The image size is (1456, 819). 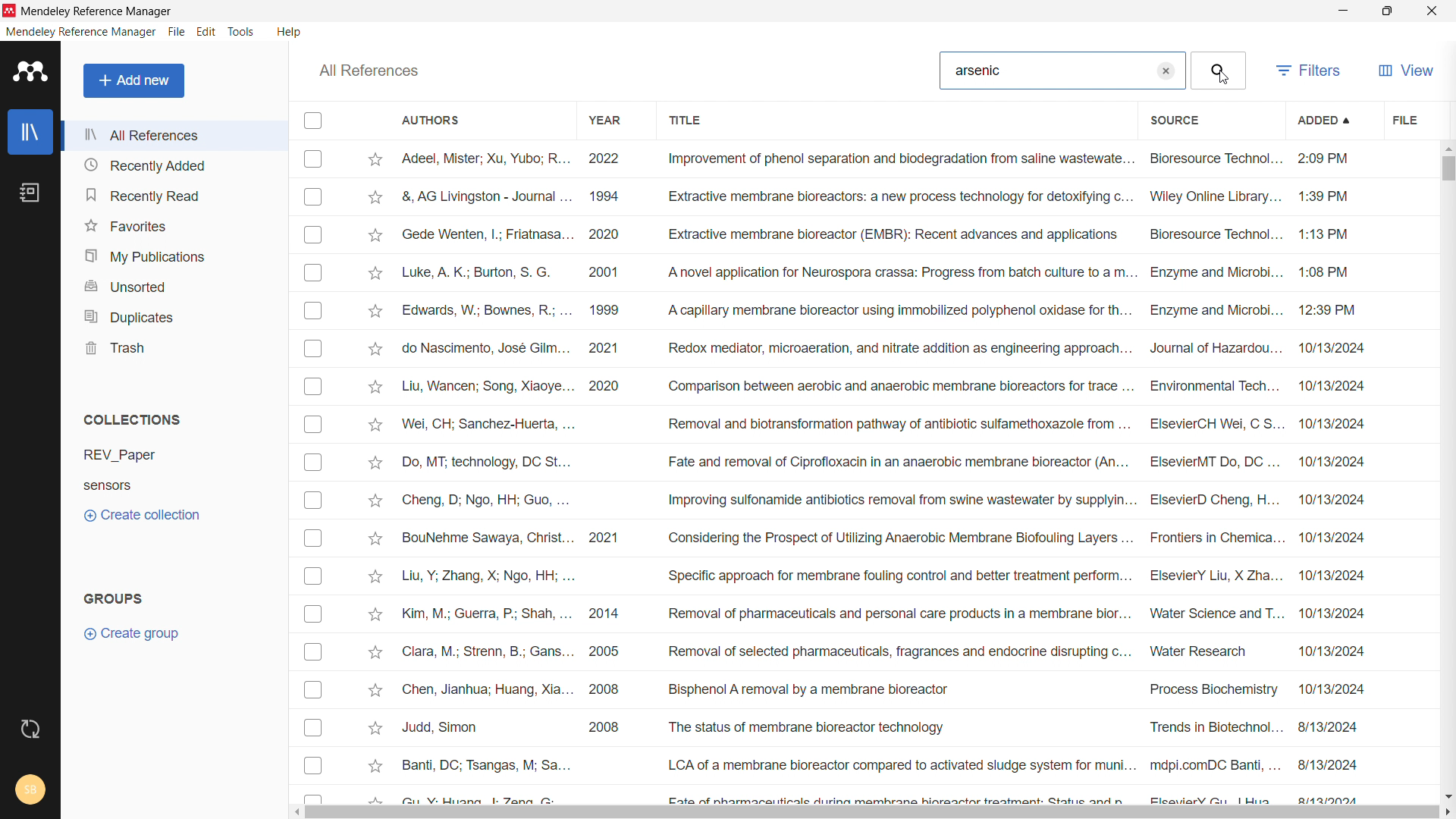 I want to click on Sensors, so click(x=111, y=483).